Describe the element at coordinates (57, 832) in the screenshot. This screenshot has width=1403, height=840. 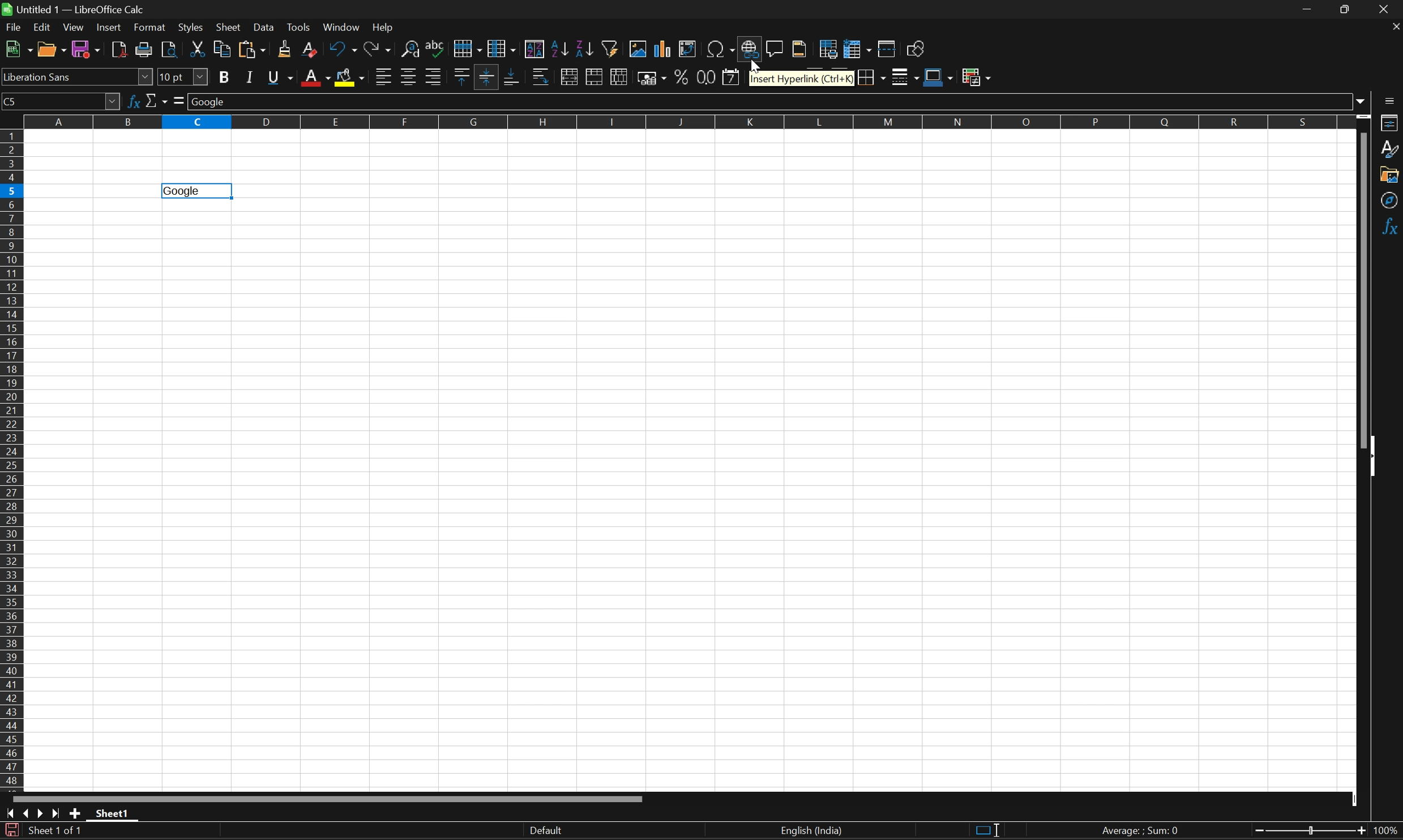
I see `Sheet 1 of 1` at that location.